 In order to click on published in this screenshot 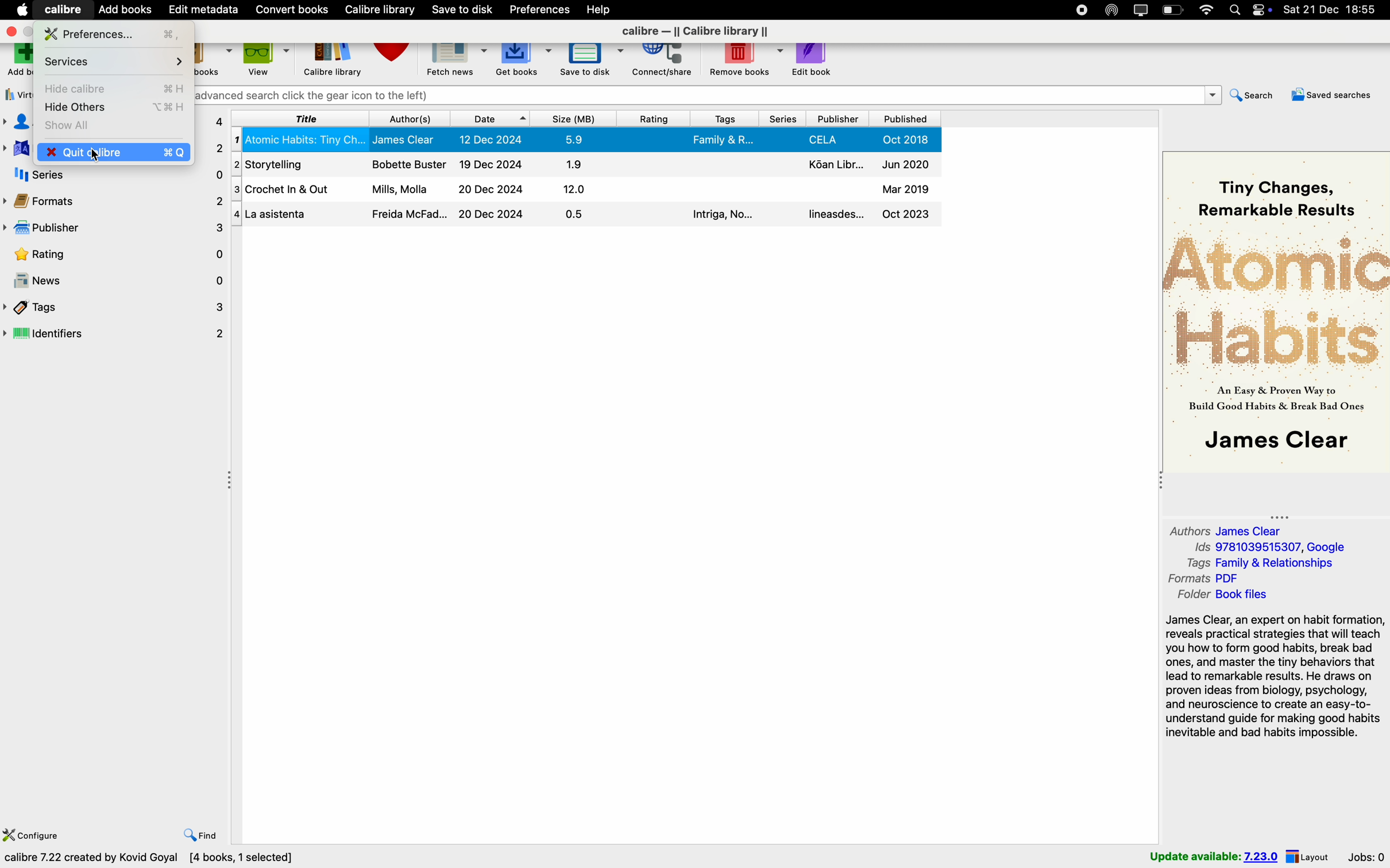, I will do `click(904, 119)`.